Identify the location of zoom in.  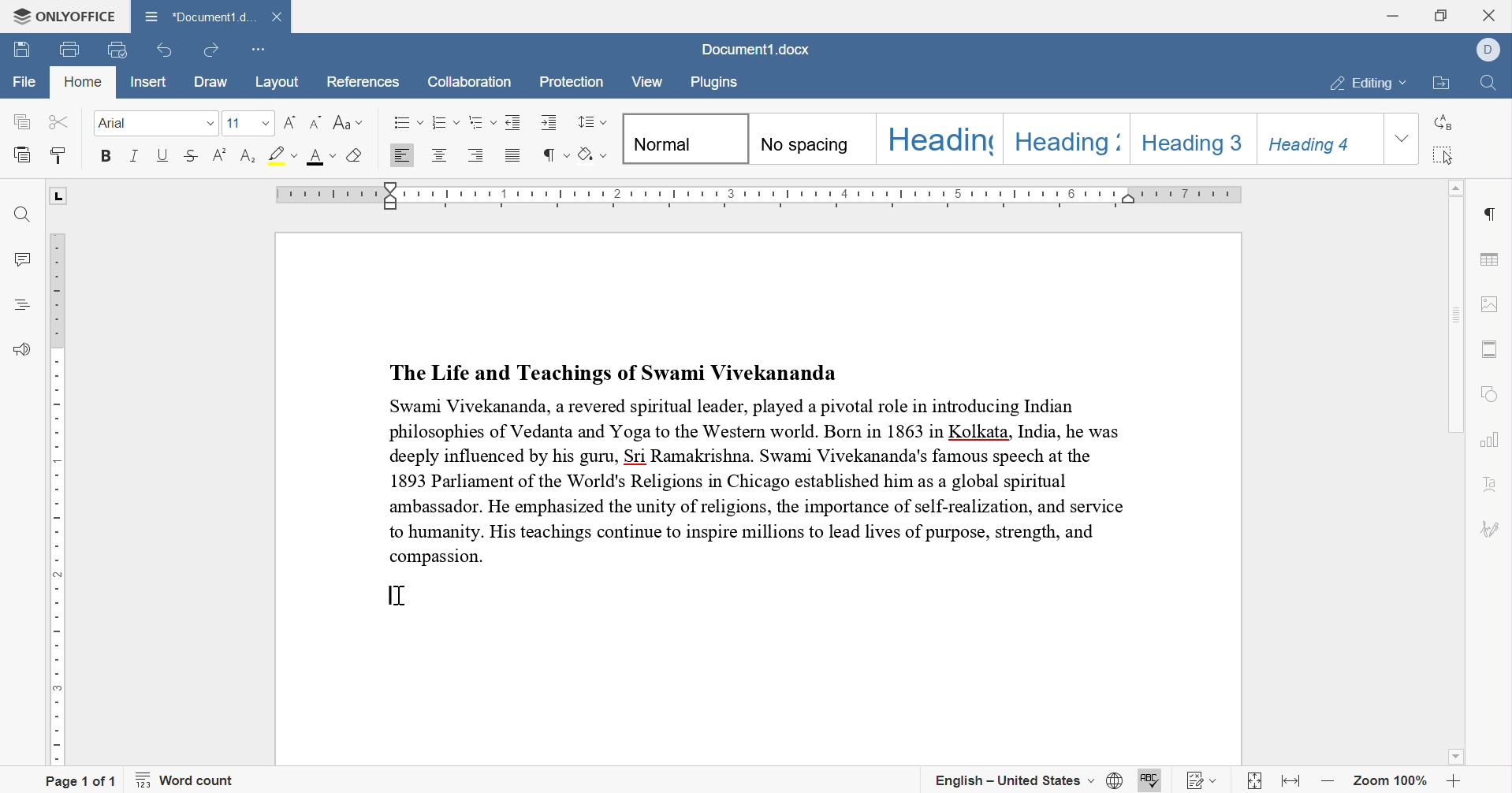
(1452, 781).